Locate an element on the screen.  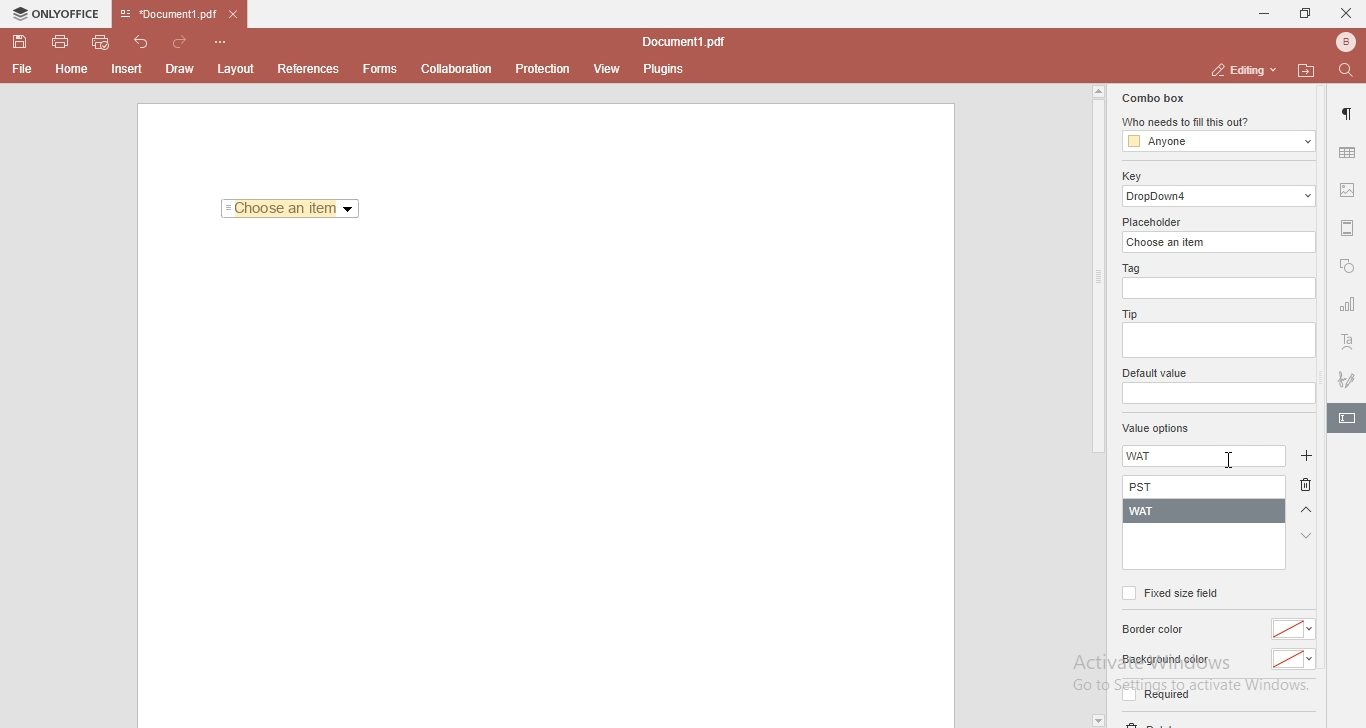
border color is located at coordinates (1156, 630).